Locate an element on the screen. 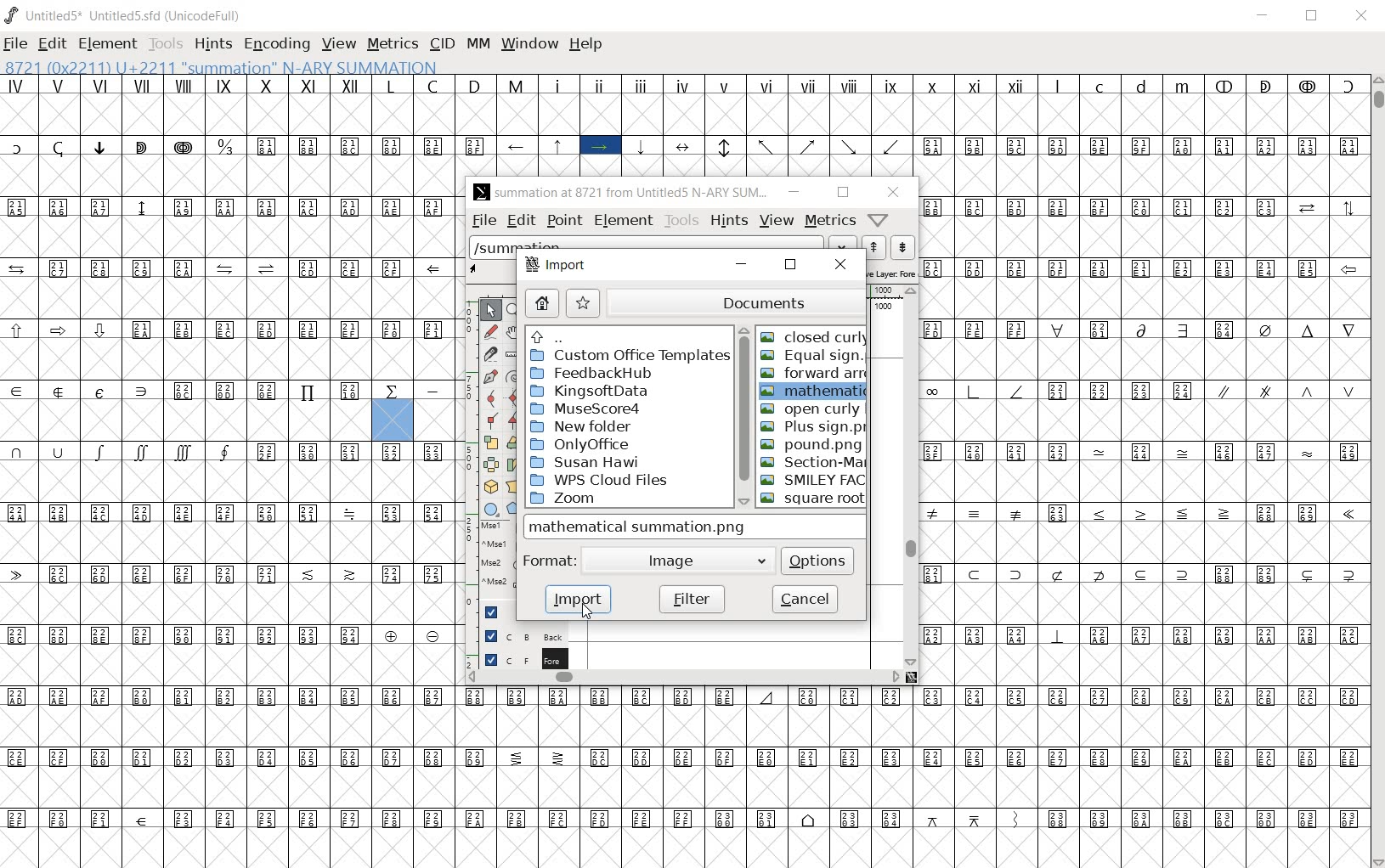  mathematical summation.png is located at coordinates (812, 391).